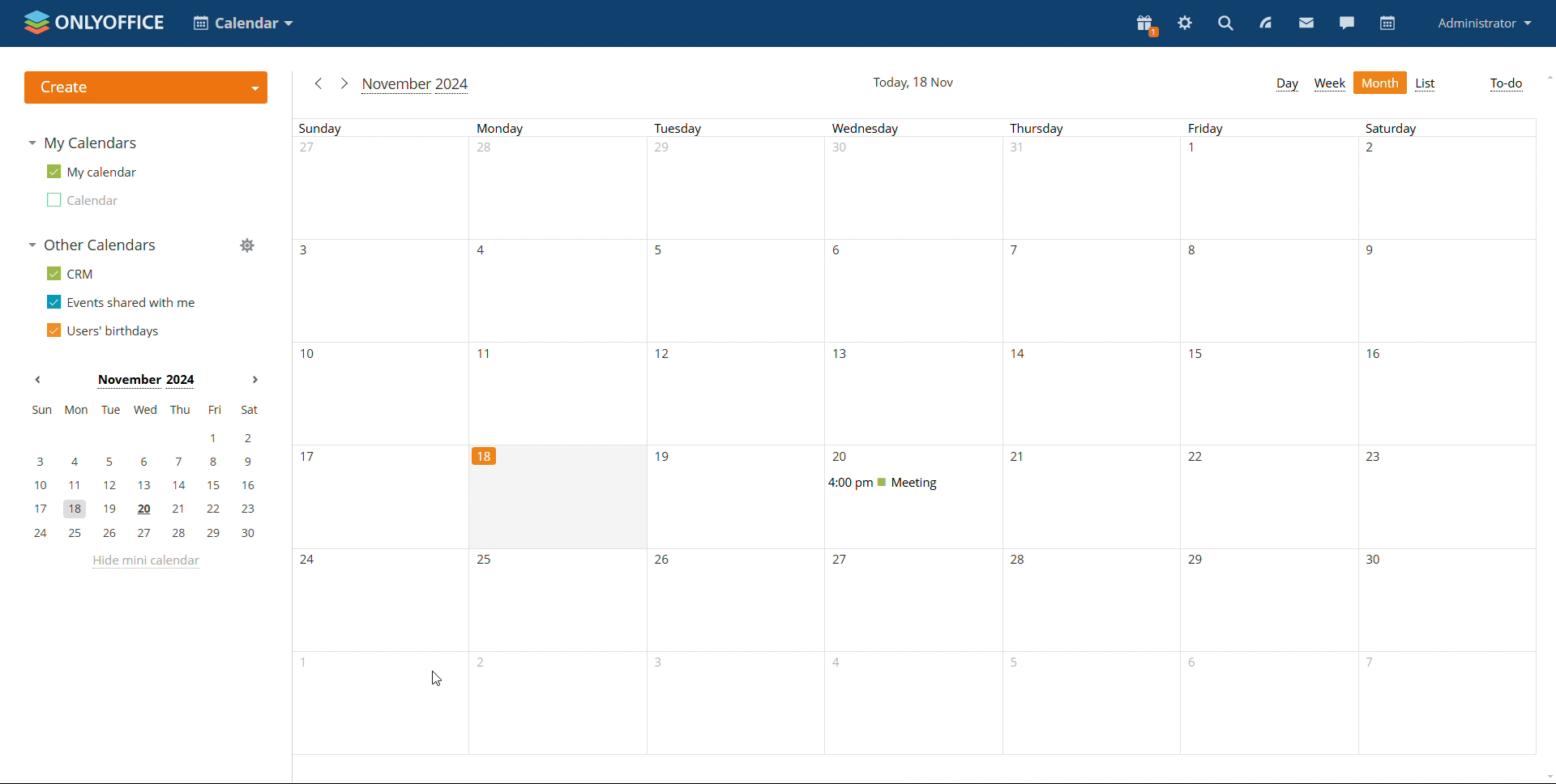 The image size is (1556, 784). I want to click on hide mini calendar, so click(145, 562).